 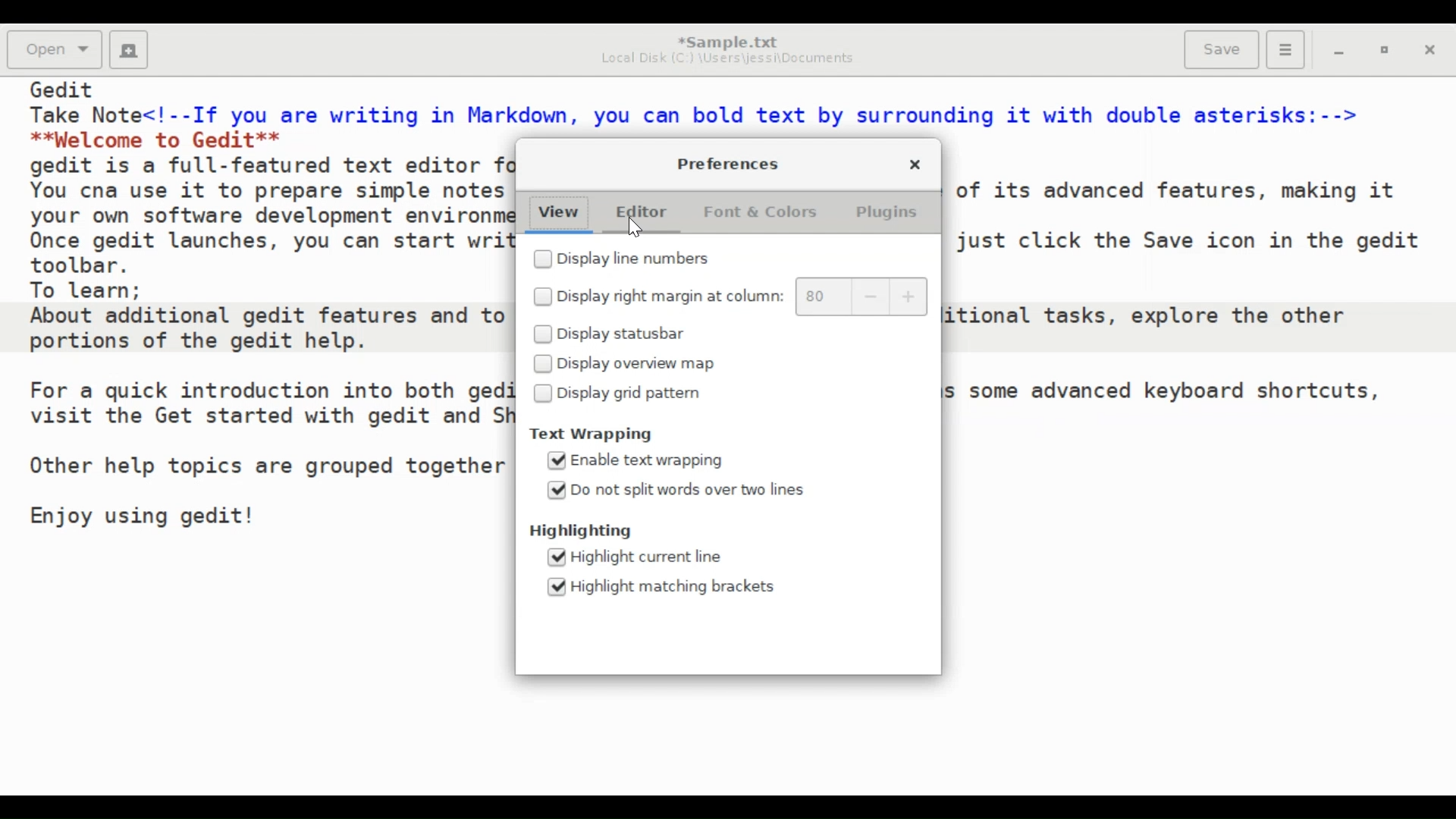 What do you see at coordinates (621, 394) in the screenshot?
I see `(un)select Display grid pattern` at bounding box center [621, 394].